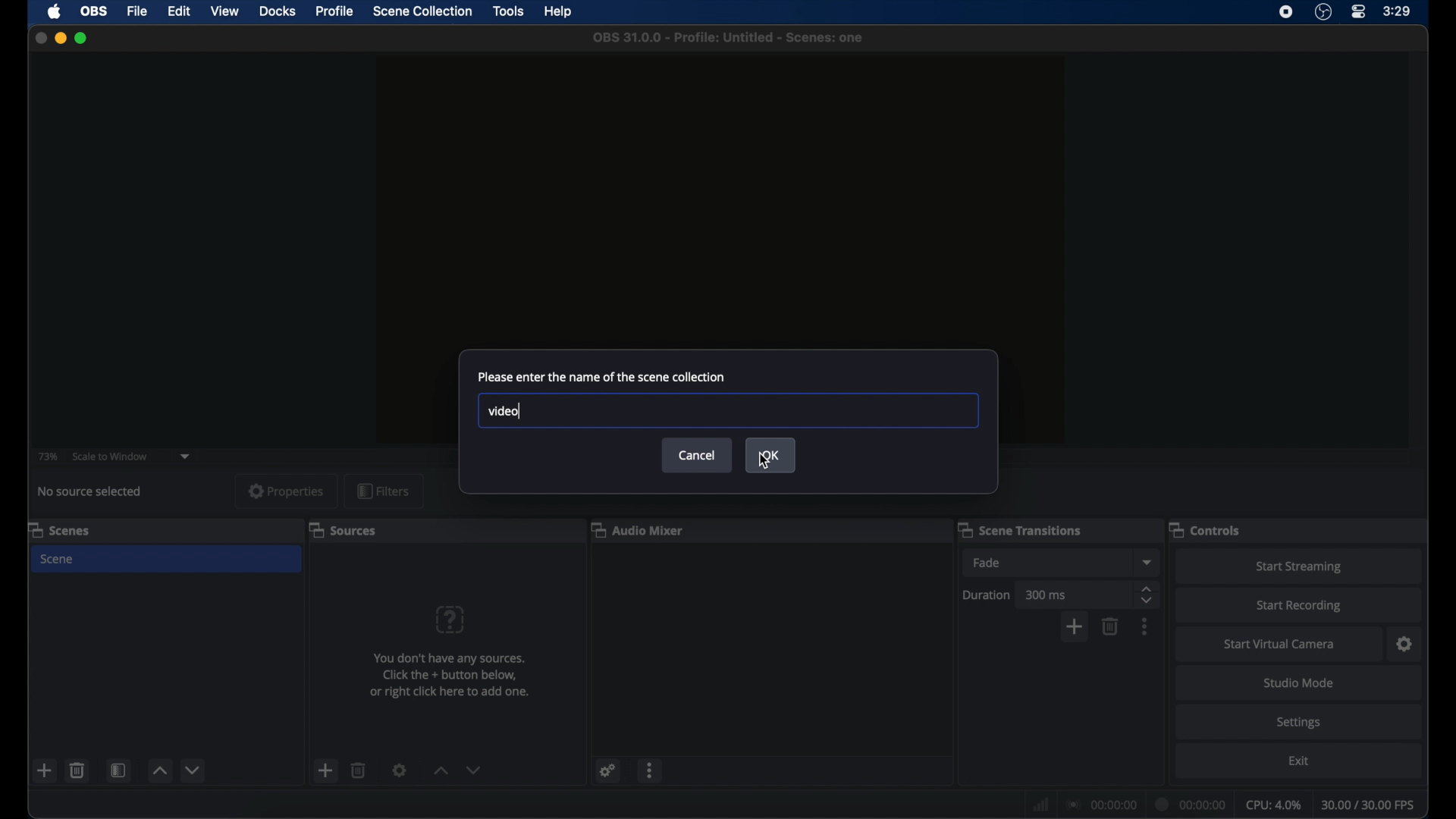 The image size is (1456, 819). I want to click on cancel, so click(697, 456).